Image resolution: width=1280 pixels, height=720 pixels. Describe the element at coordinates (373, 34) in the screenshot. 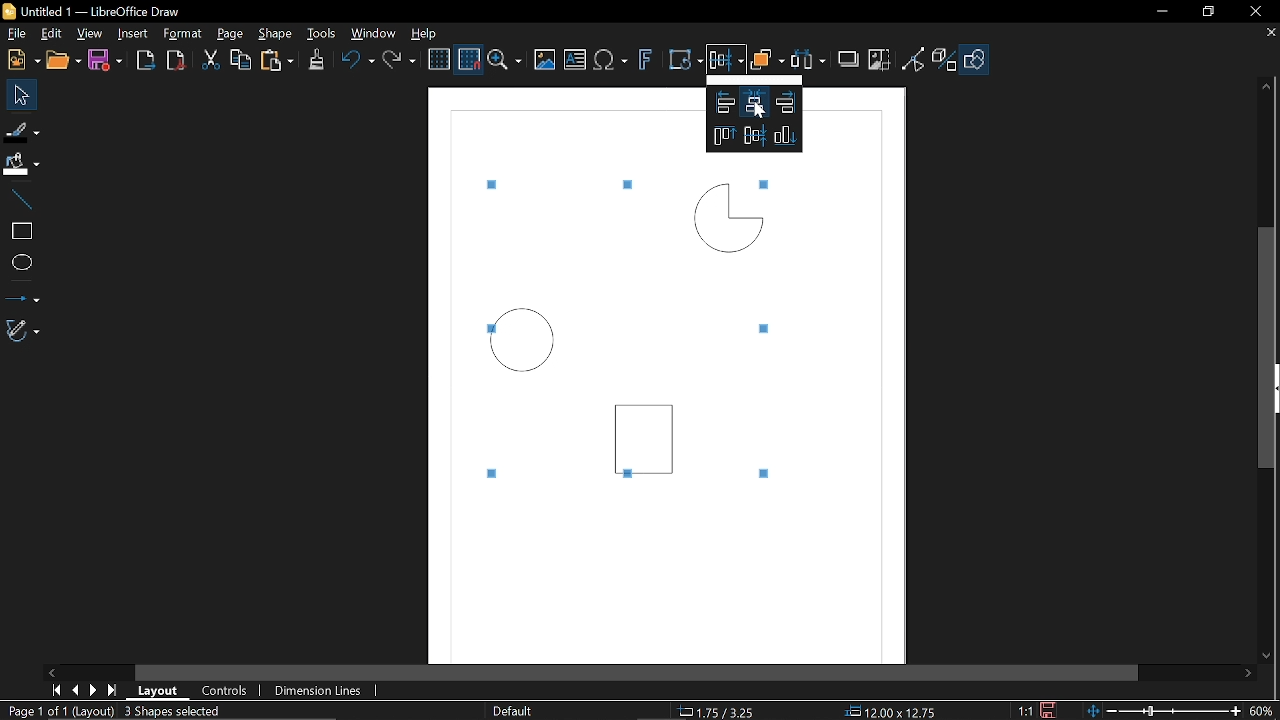

I see `Window` at that location.